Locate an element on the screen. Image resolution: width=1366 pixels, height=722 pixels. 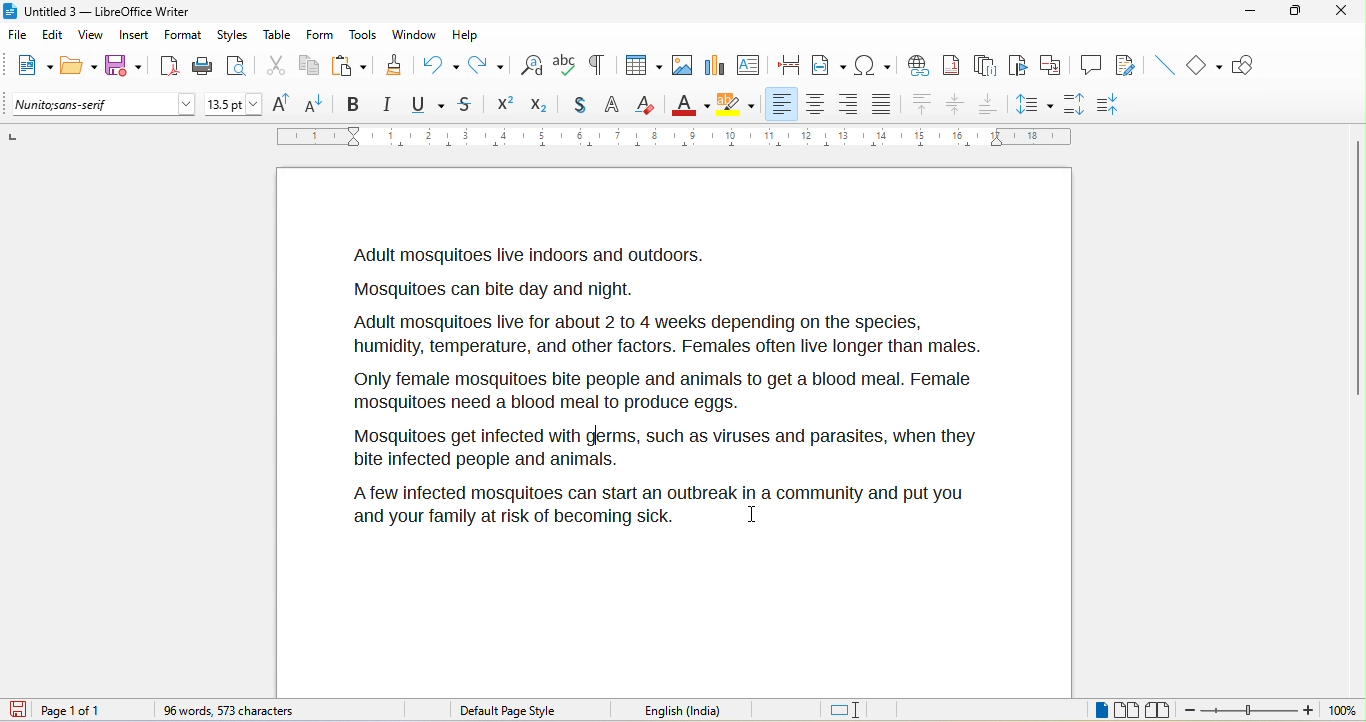
shadow is located at coordinates (573, 106).